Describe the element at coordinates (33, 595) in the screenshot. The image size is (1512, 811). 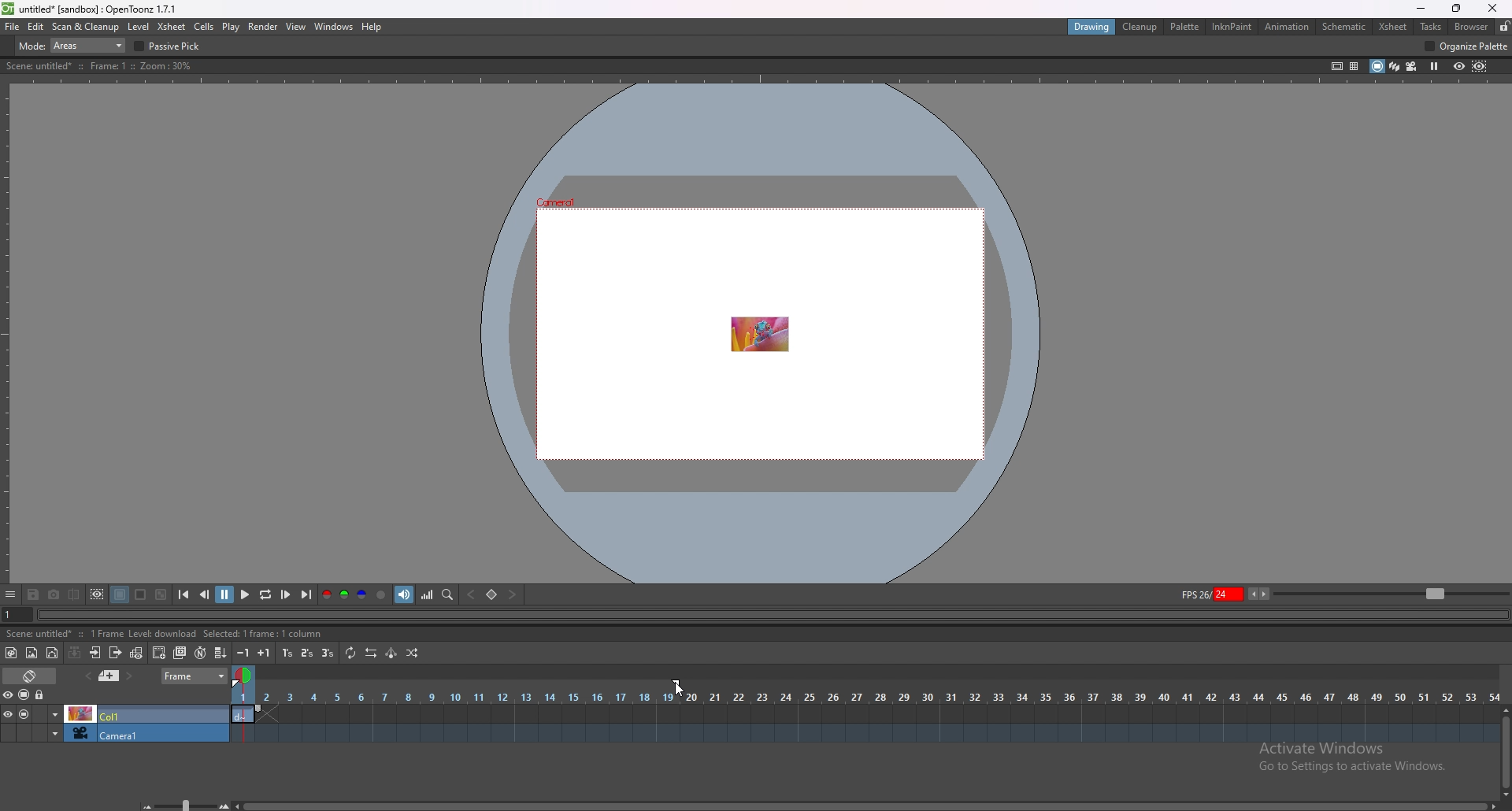
I see `save` at that location.